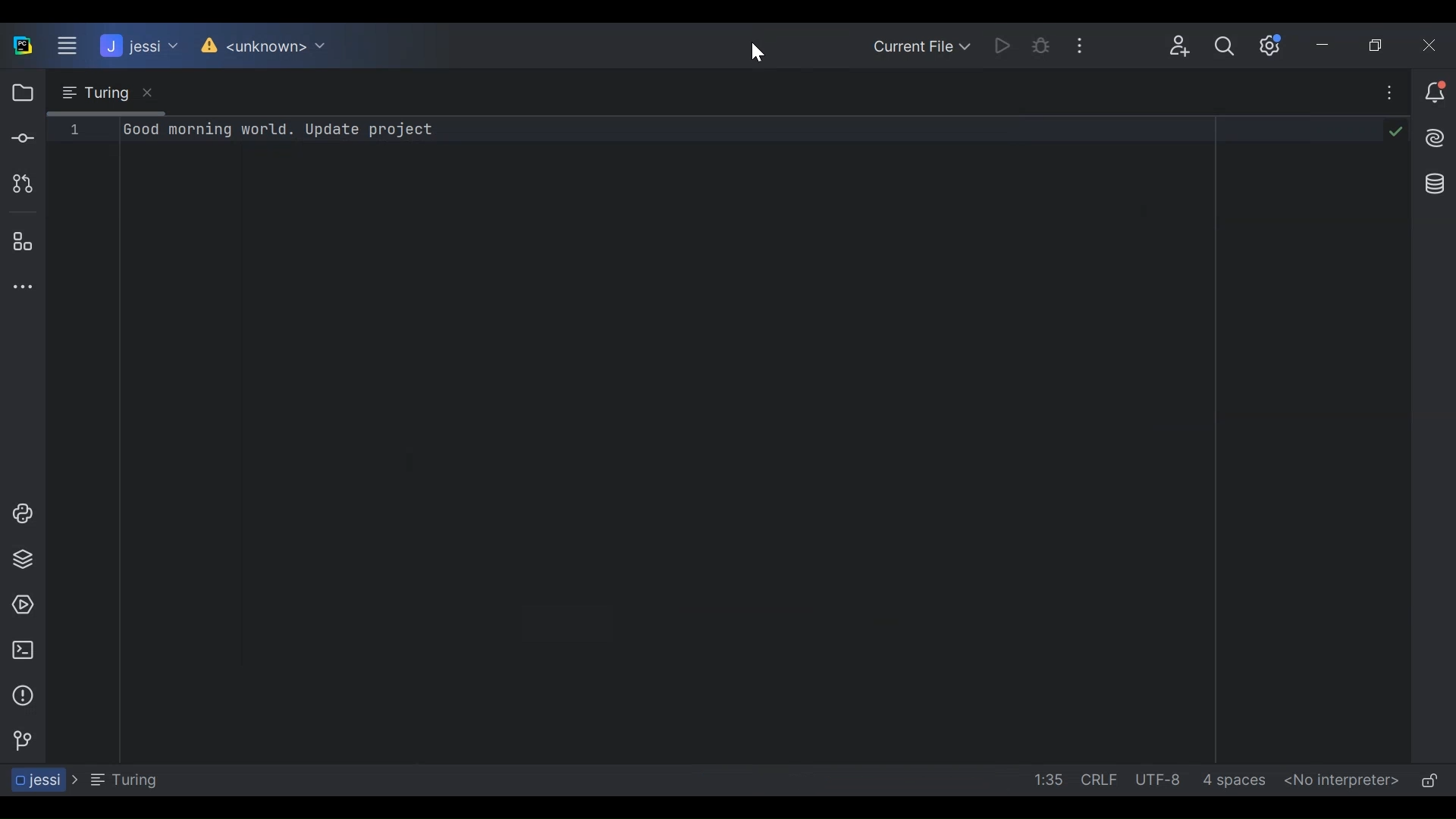 The width and height of the screenshot is (1456, 819). Describe the element at coordinates (1432, 94) in the screenshot. I see `Notification` at that location.